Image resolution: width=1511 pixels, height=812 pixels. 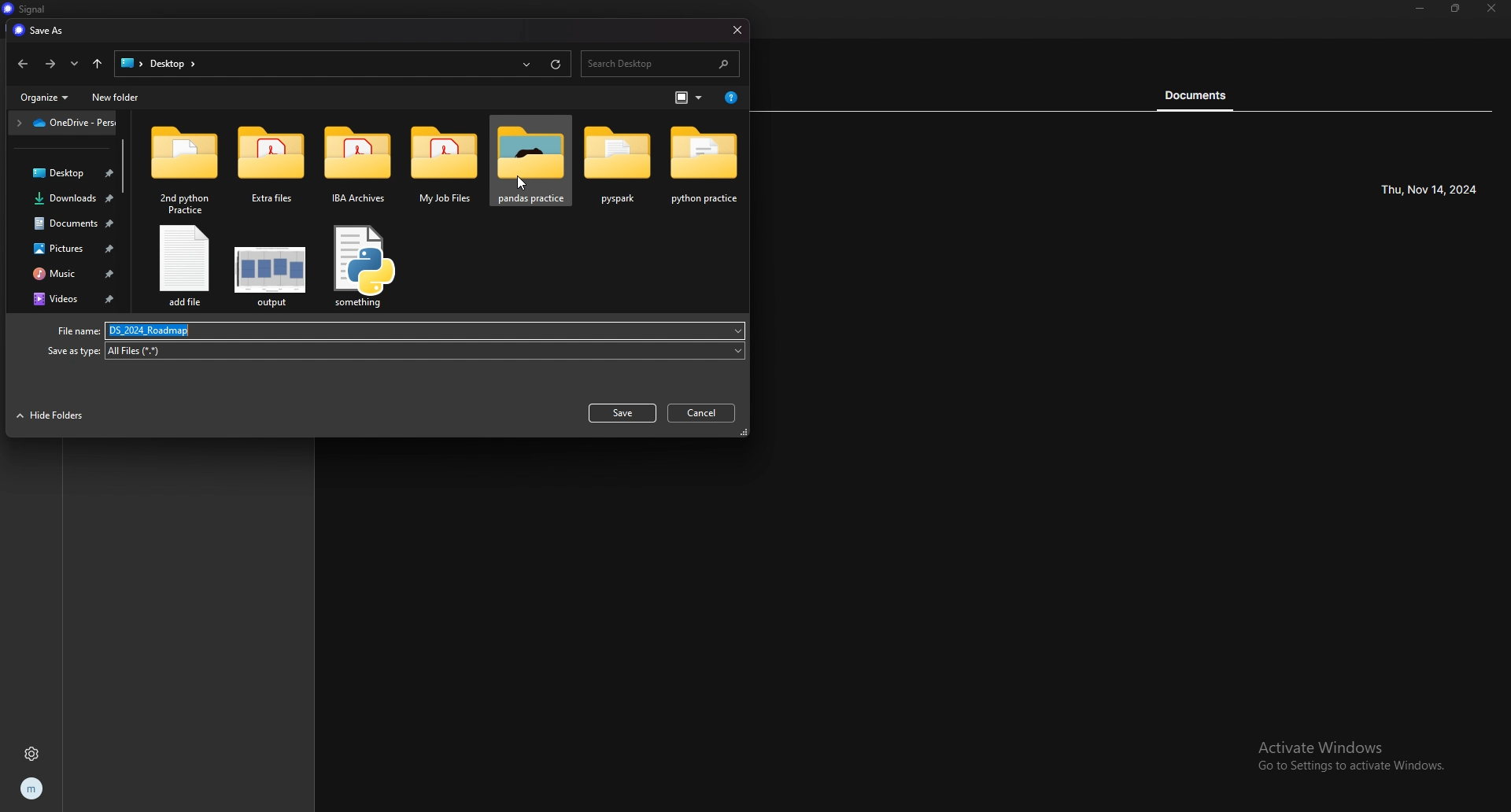 I want to click on folder, so click(x=621, y=163).